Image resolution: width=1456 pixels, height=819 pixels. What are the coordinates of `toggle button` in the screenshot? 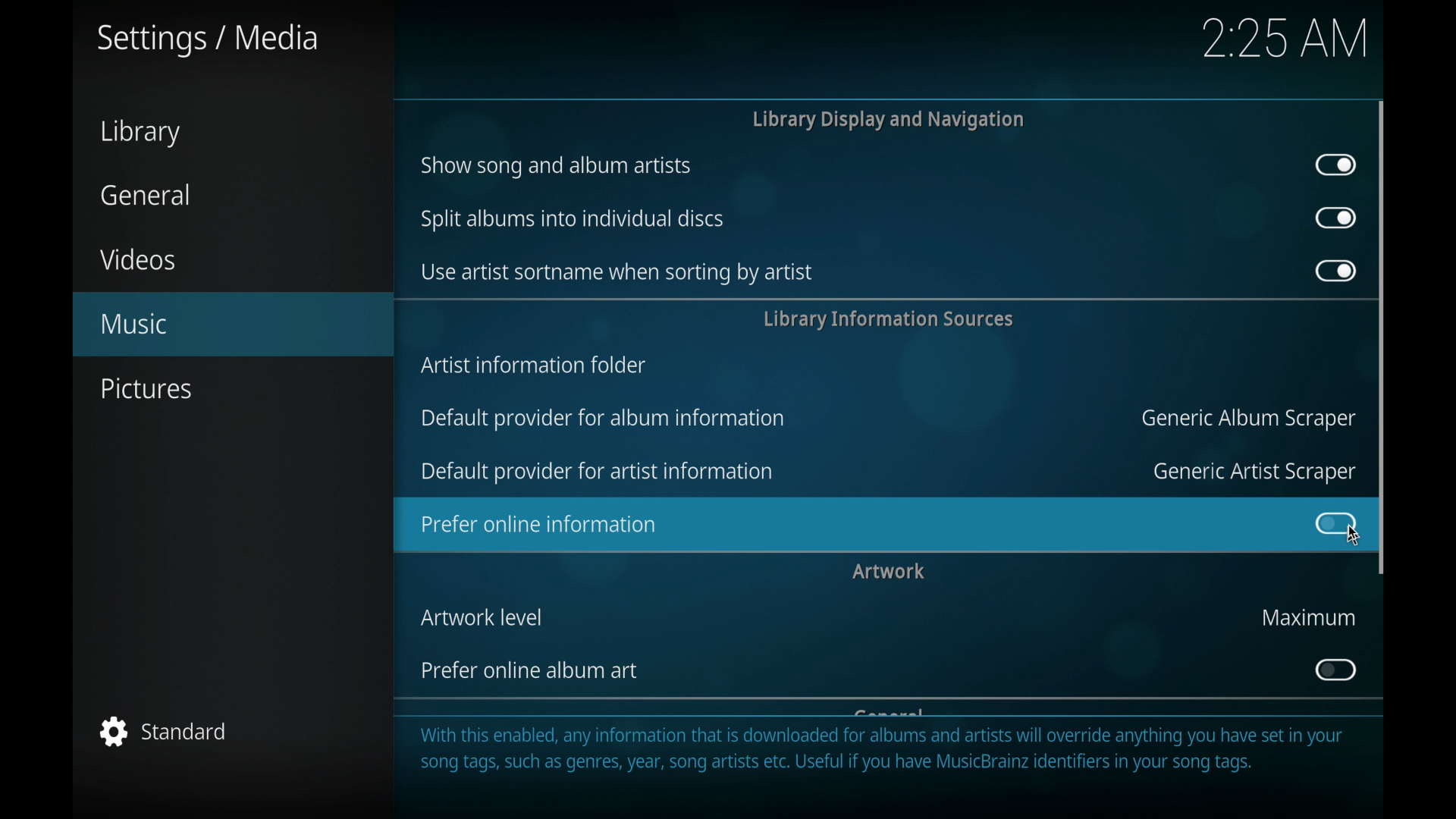 It's located at (1335, 670).